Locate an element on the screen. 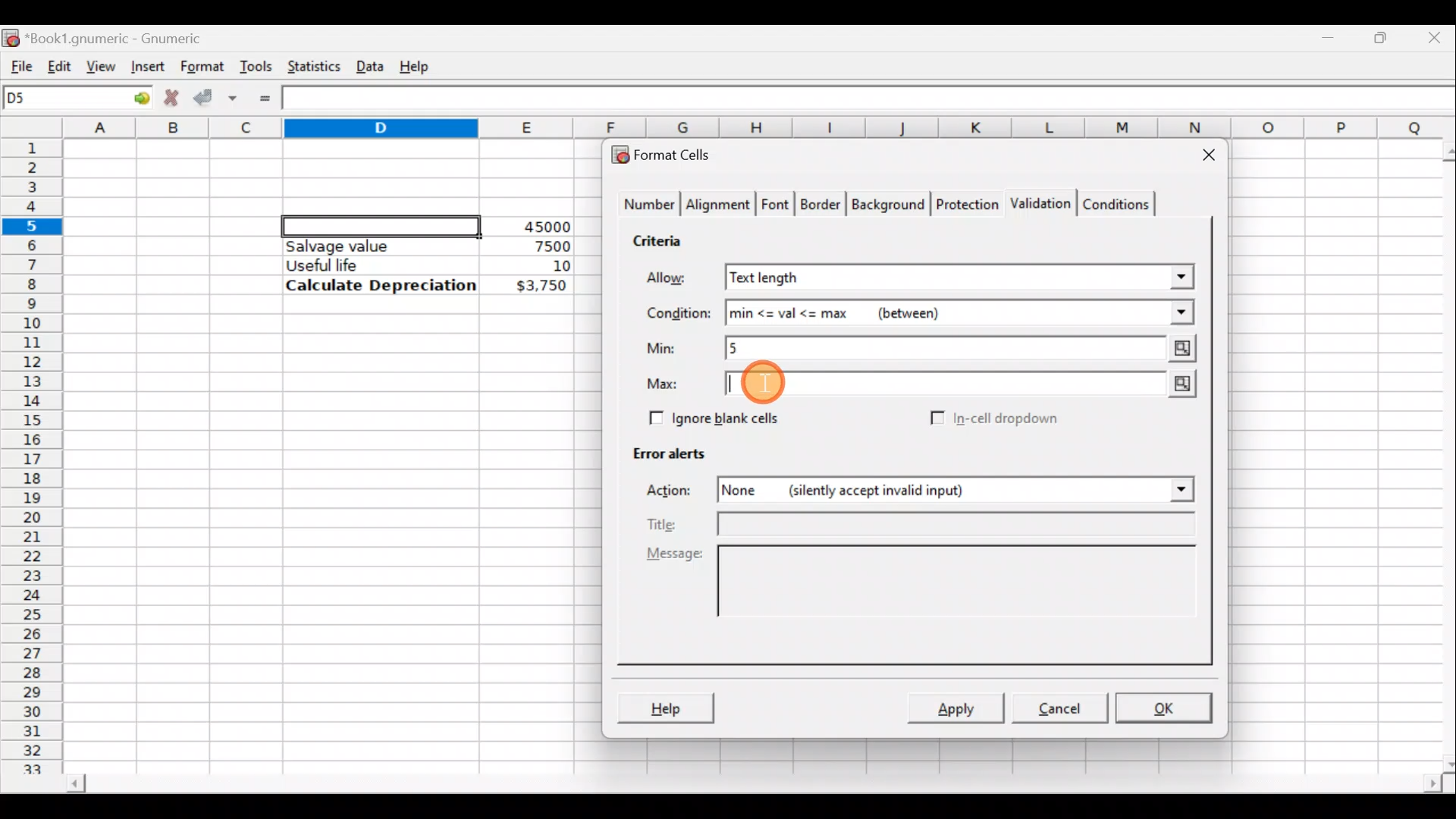 The image size is (1456, 819). Max value is located at coordinates (965, 387).